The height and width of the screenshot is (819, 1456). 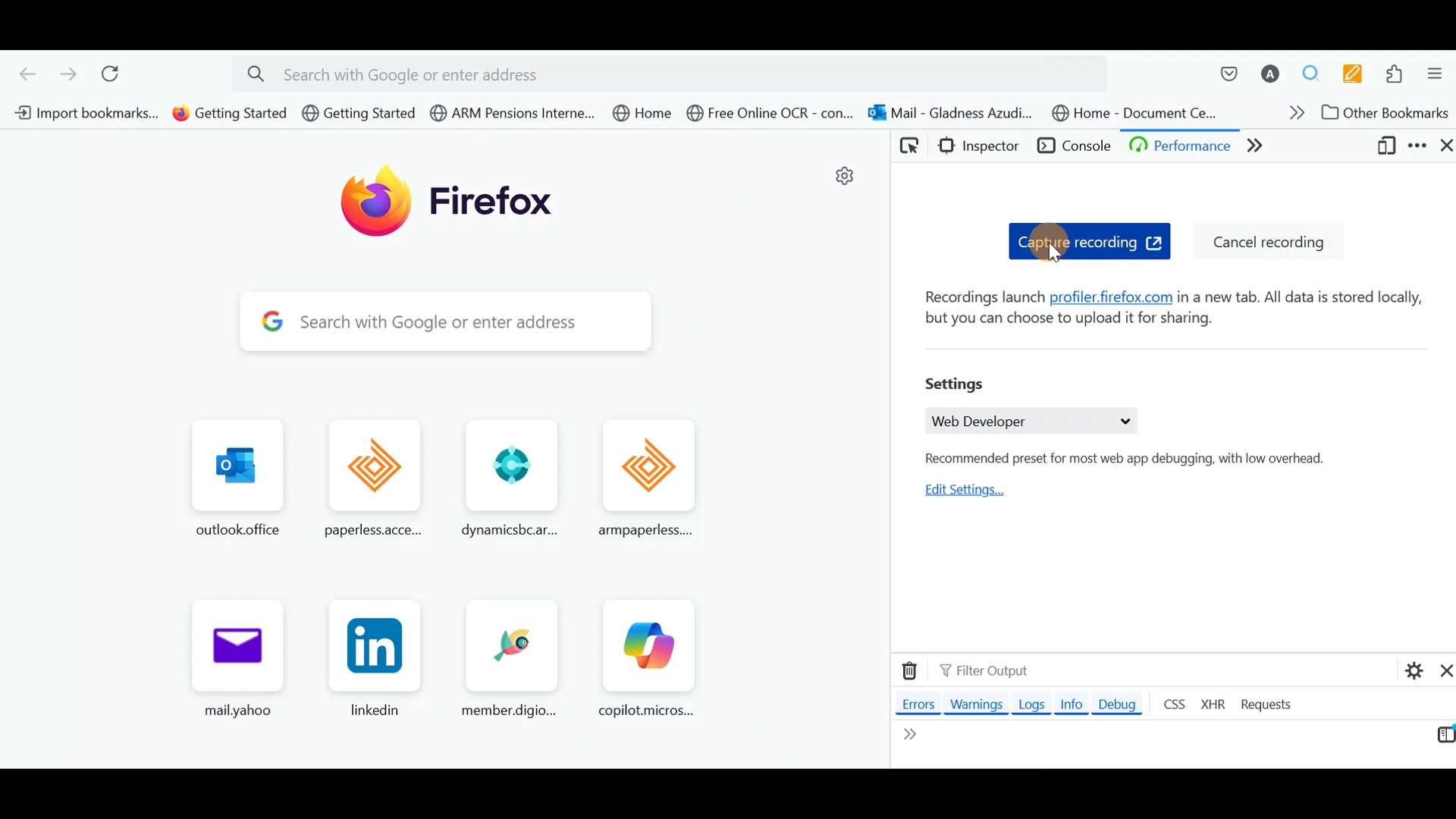 What do you see at coordinates (1316, 73) in the screenshot?
I see `Multiple search & highlight` at bounding box center [1316, 73].